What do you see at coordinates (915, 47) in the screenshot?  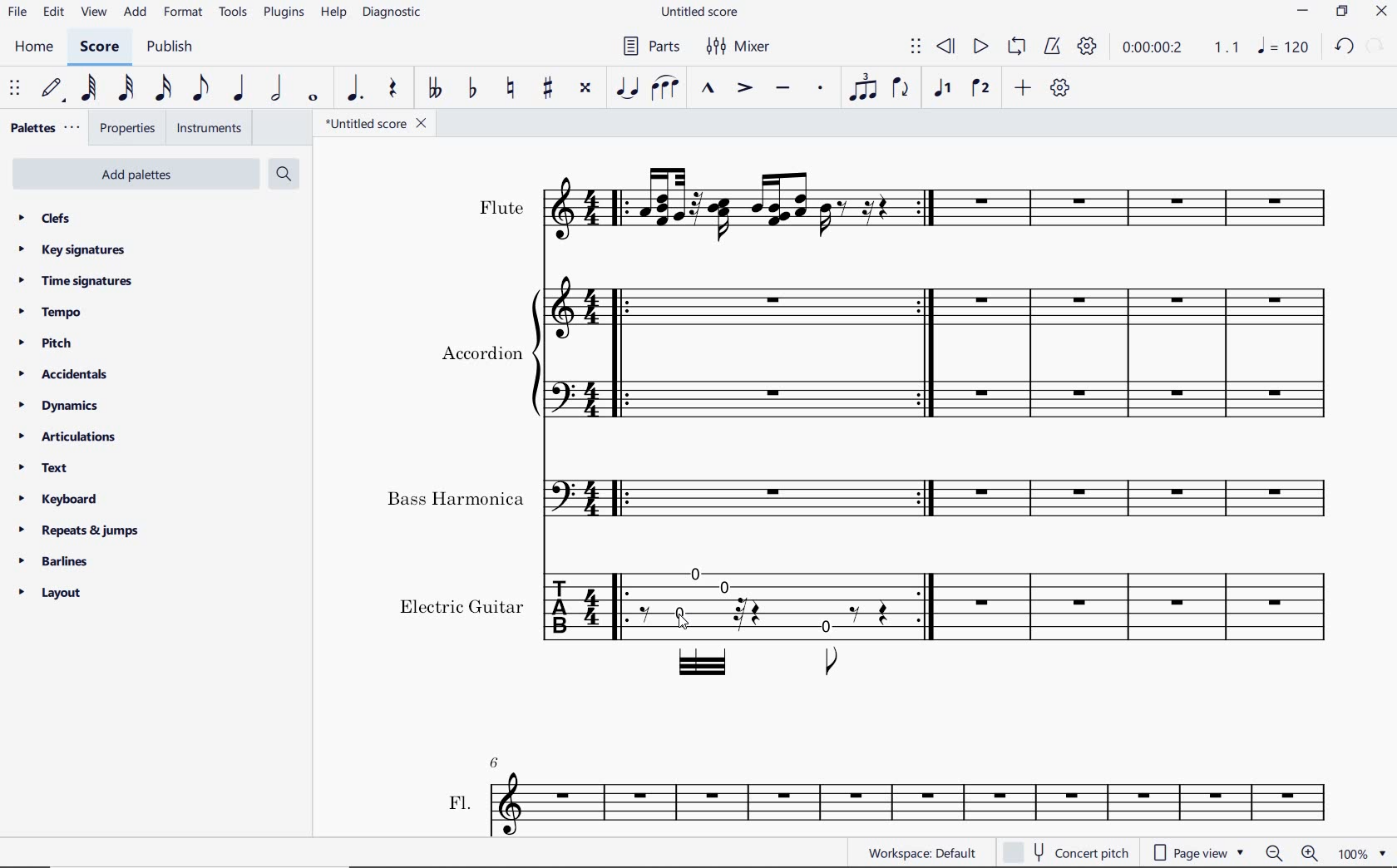 I see `select to move` at bounding box center [915, 47].